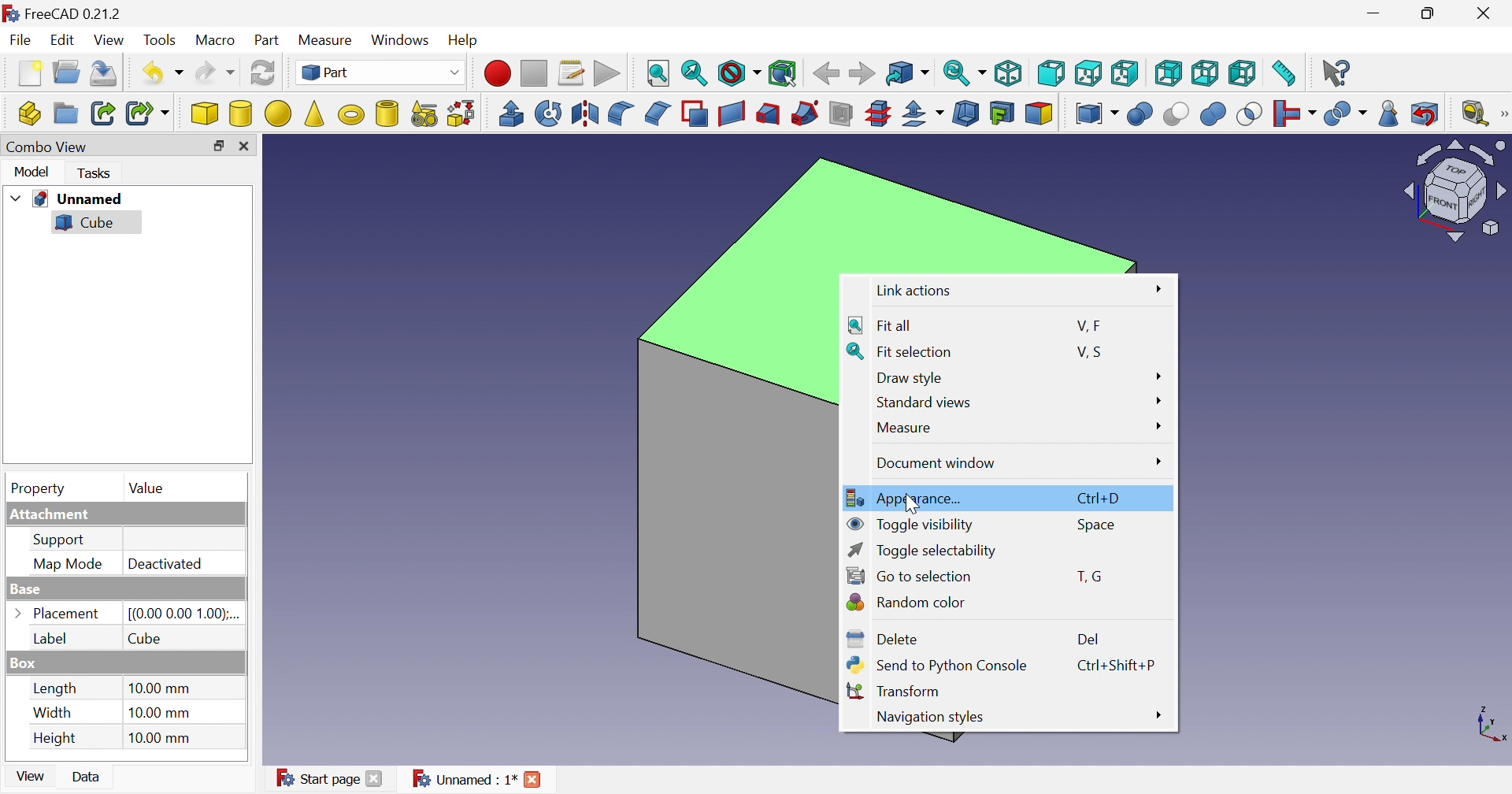  What do you see at coordinates (218, 147) in the screenshot?
I see `Restore down` at bounding box center [218, 147].